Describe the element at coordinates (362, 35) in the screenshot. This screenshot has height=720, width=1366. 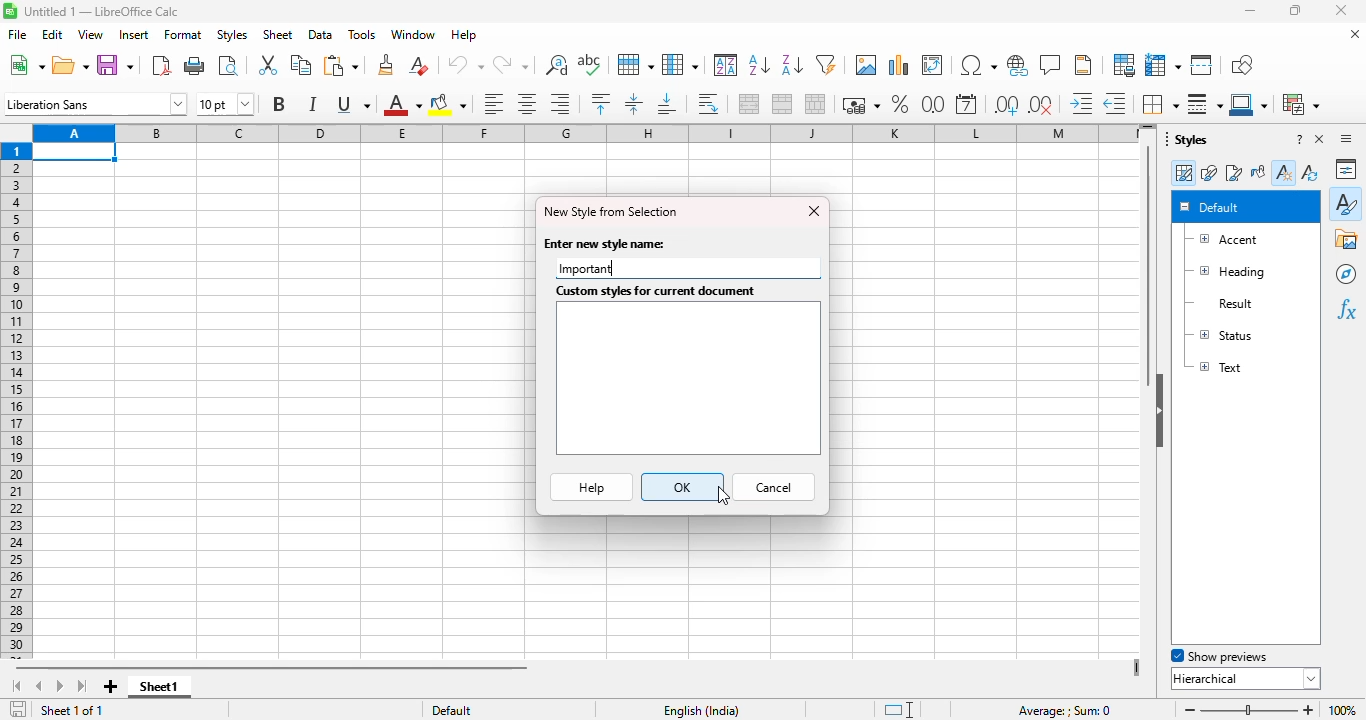
I see `tools` at that location.